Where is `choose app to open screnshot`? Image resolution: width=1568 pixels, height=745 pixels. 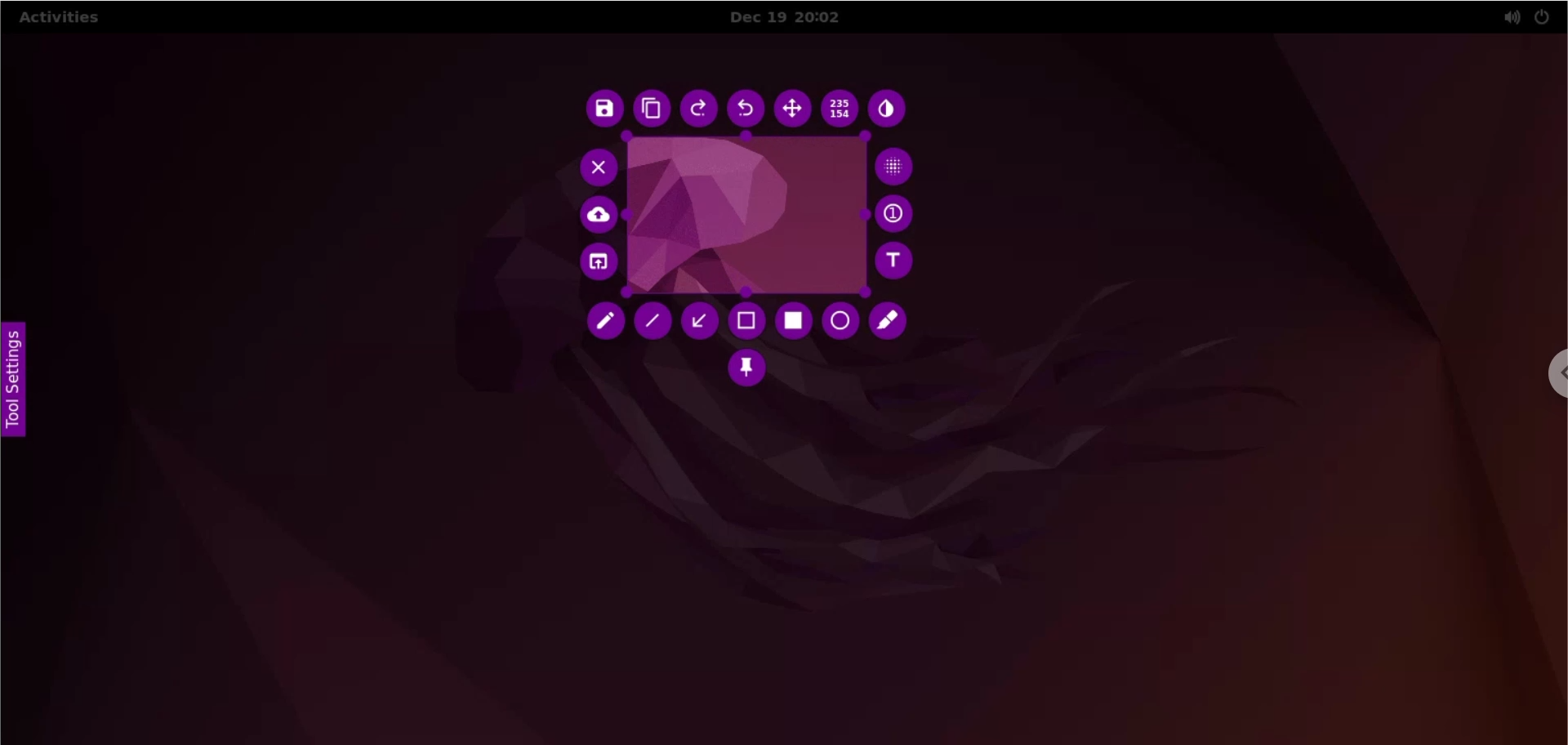
choose app to open screnshot is located at coordinates (605, 263).